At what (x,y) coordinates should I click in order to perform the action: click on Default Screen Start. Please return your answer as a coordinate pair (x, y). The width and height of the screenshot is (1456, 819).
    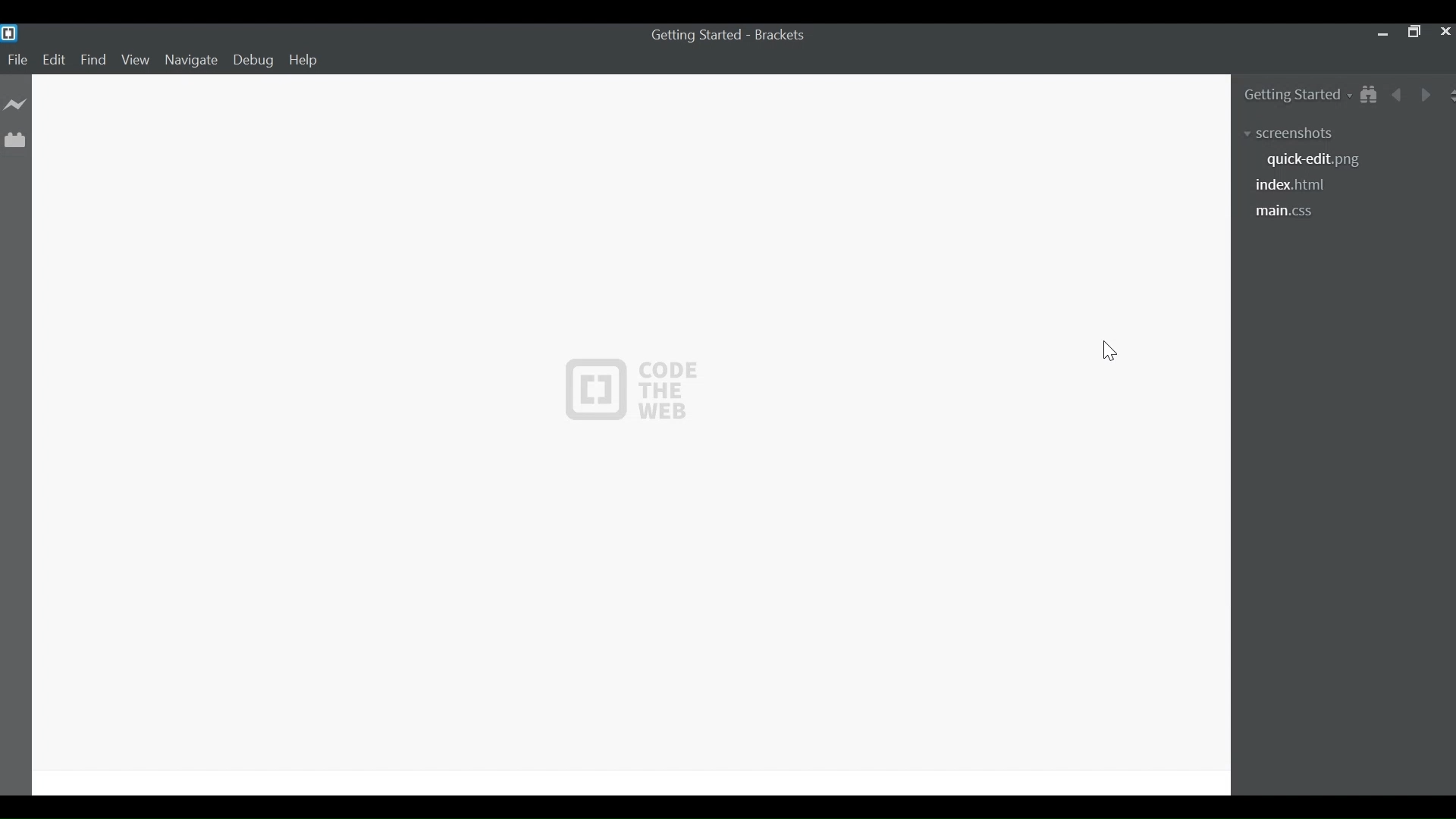
    Looking at the image, I should click on (630, 433).